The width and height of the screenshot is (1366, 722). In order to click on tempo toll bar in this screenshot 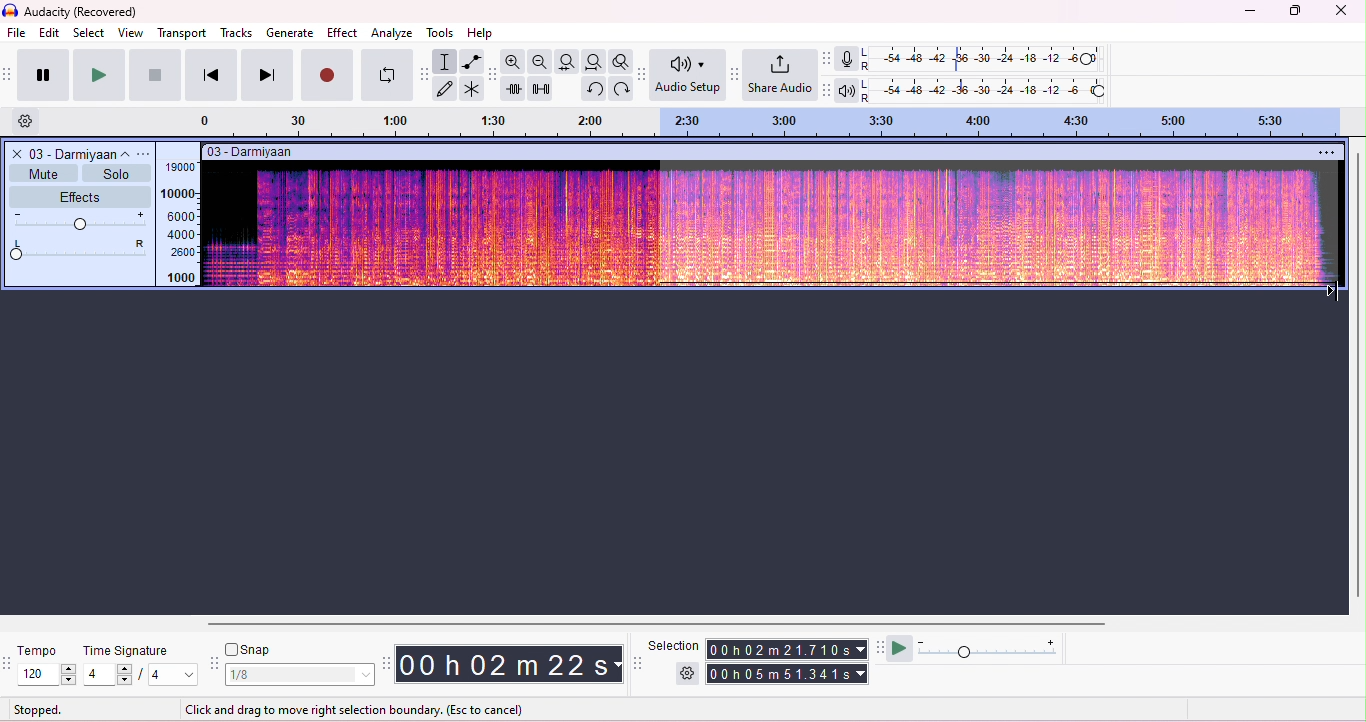, I will do `click(9, 661)`.